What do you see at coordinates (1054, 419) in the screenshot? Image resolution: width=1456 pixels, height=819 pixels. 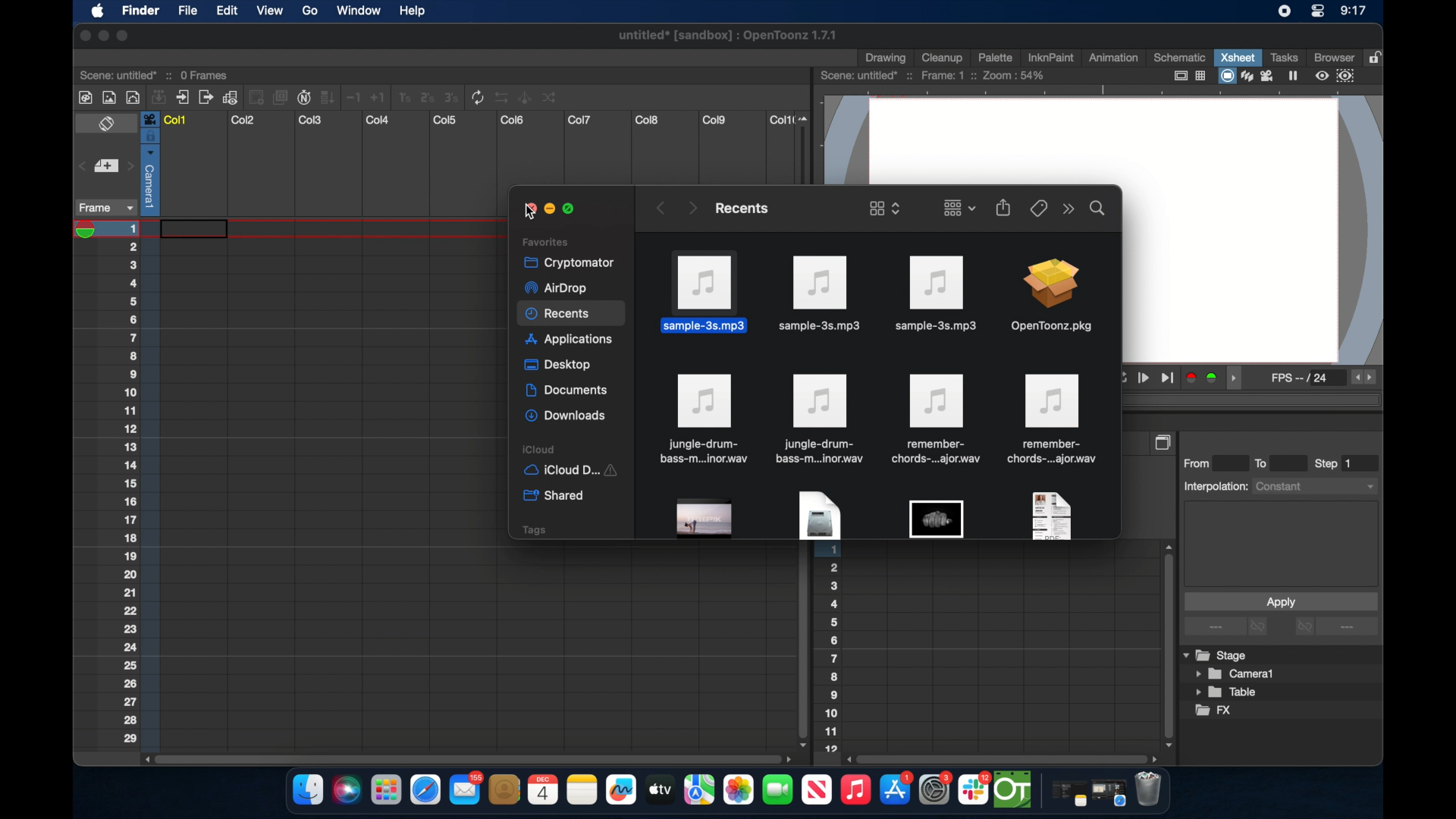 I see `file` at bounding box center [1054, 419].